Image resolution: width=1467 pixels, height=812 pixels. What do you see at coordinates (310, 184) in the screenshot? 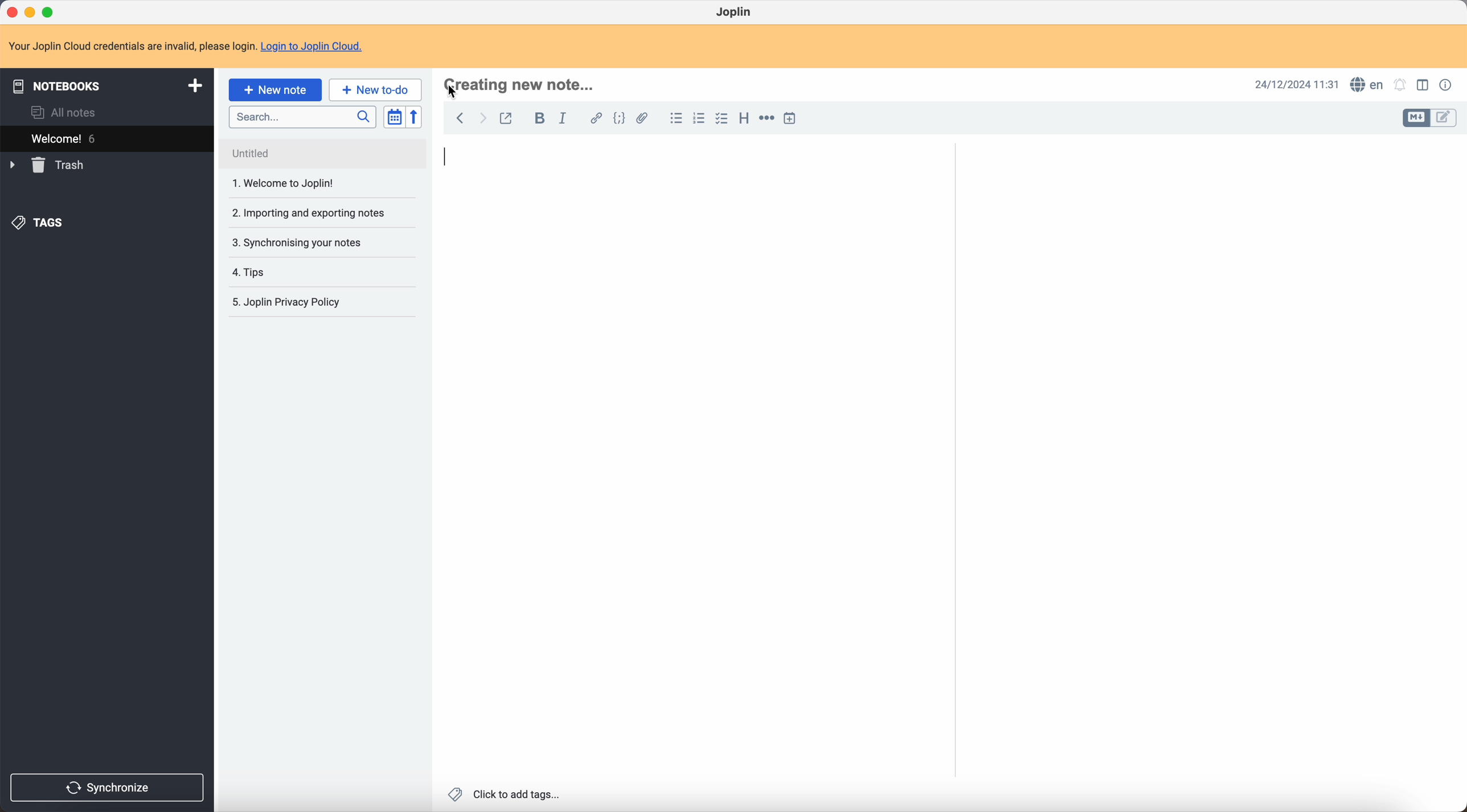
I see `1. Welcome to joplin!` at bounding box center [310, 184].